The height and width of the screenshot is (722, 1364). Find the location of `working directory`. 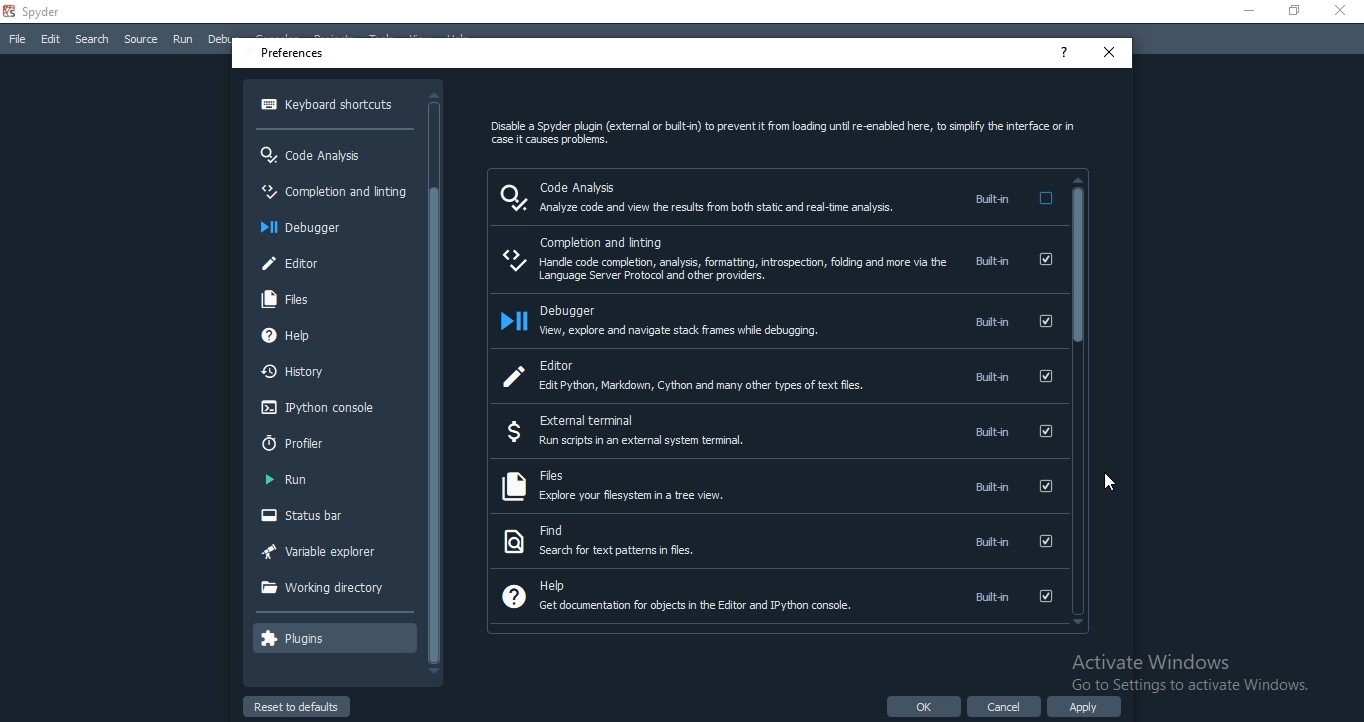

working directory is located at coordinates (331, 585).